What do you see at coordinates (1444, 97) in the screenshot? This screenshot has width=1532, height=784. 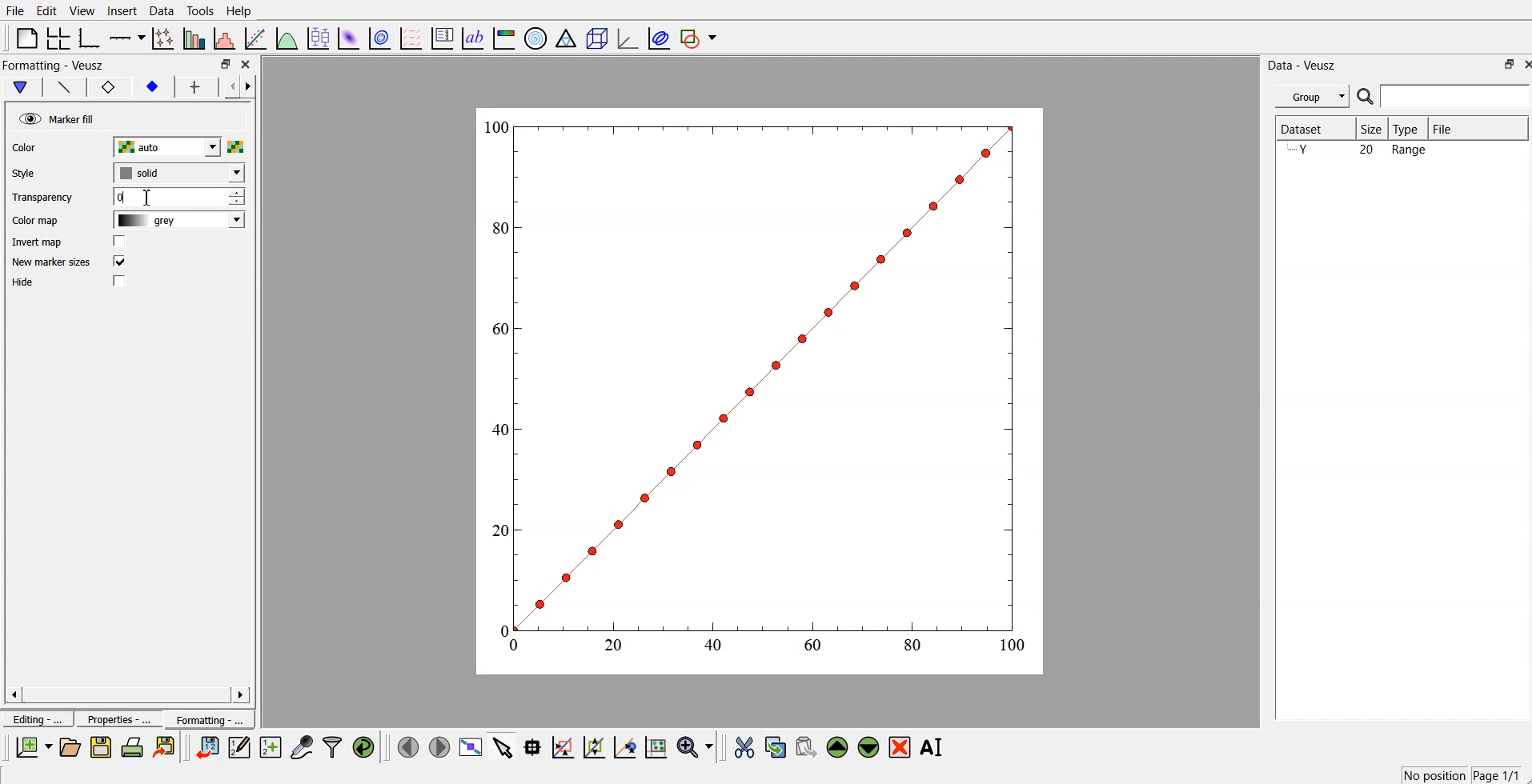 I see `Search` at bounding box center [1444, 97].